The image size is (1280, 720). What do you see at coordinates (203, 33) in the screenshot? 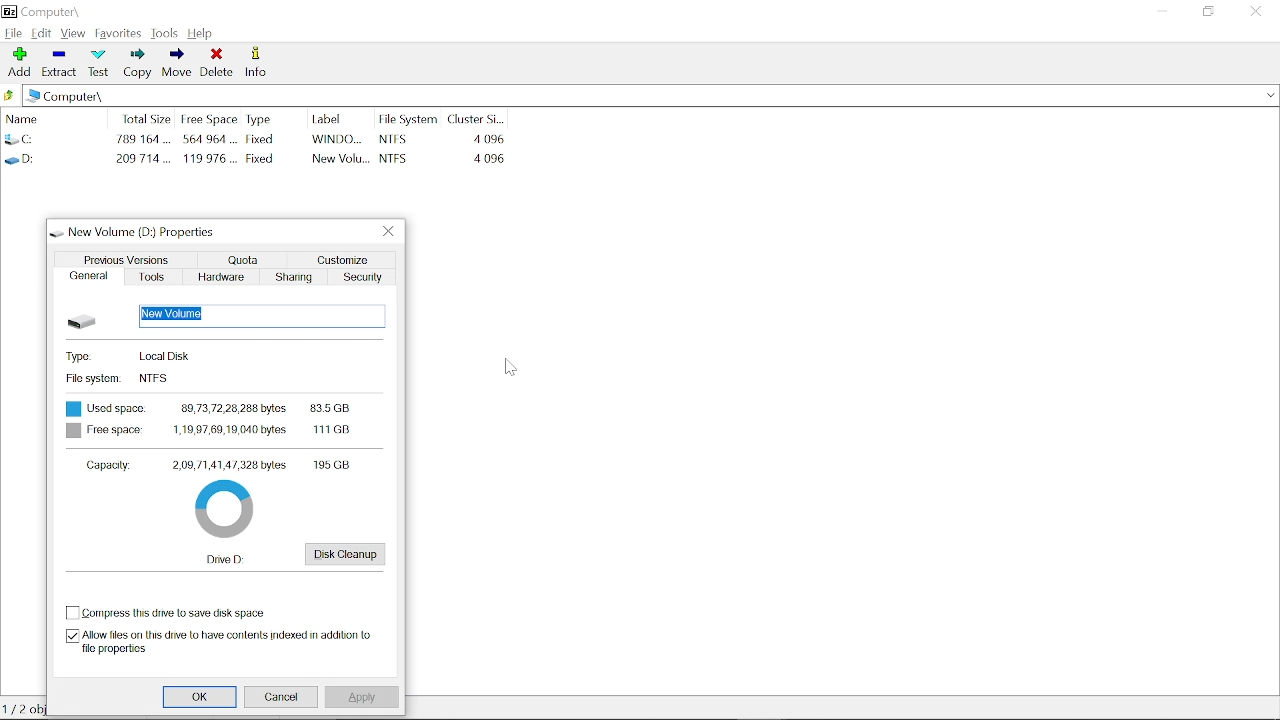
I see `help` at bounding box center [203, 33].